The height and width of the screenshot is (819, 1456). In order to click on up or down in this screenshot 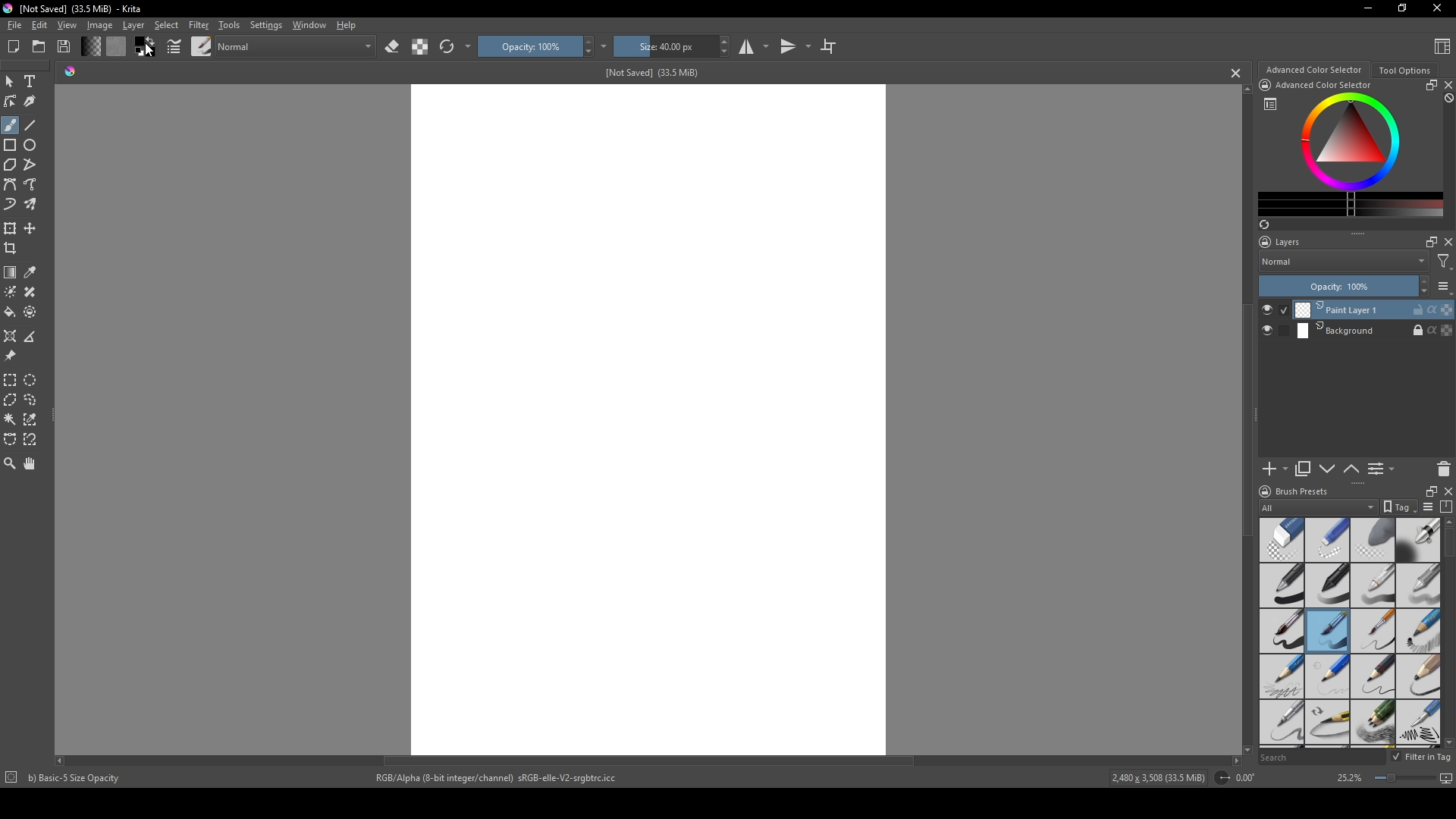, I will do `click(1352, 469)`.